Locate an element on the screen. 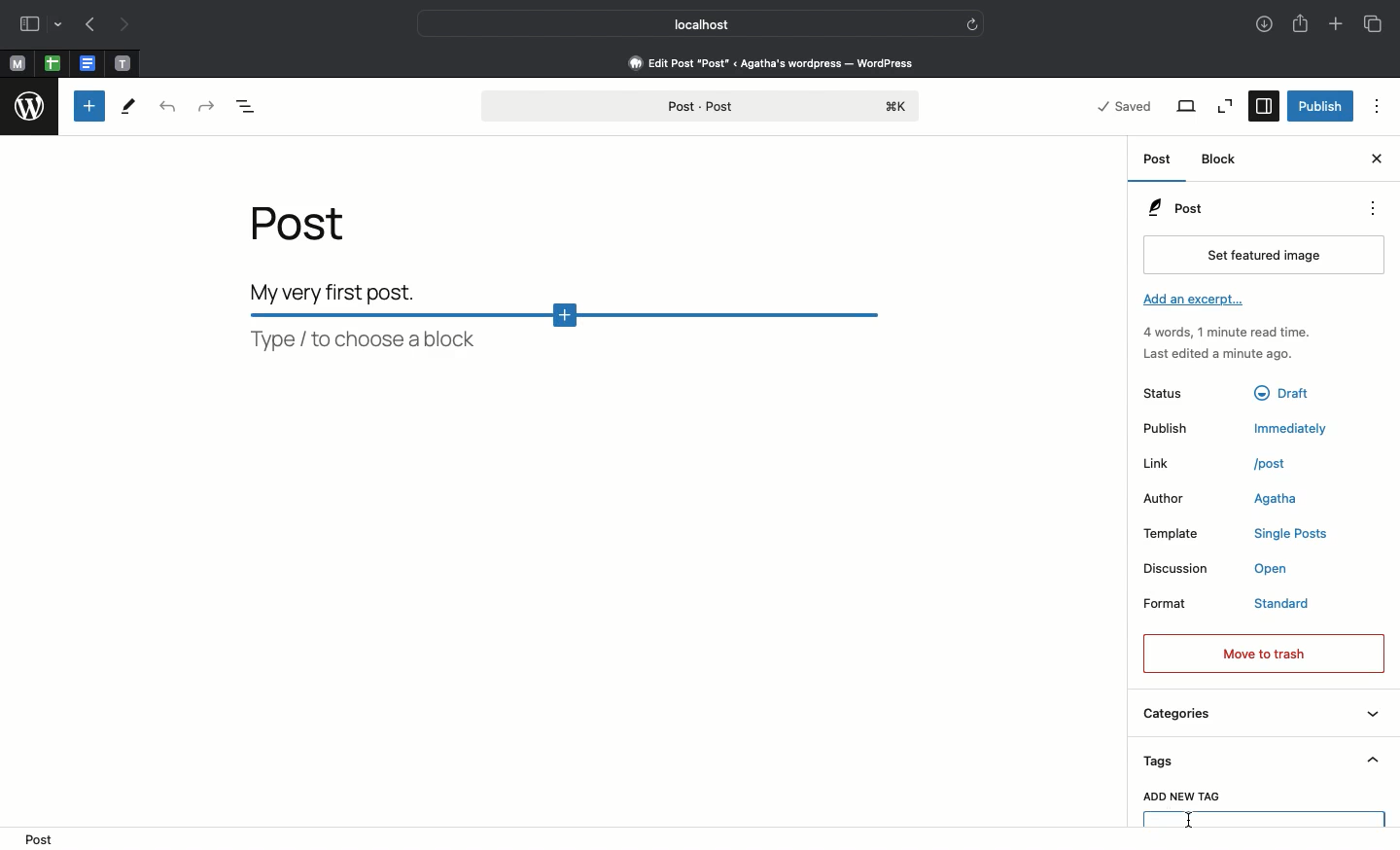 This screenshot has width=1400, height=850. Categories is located at coordinates (1260, 716).